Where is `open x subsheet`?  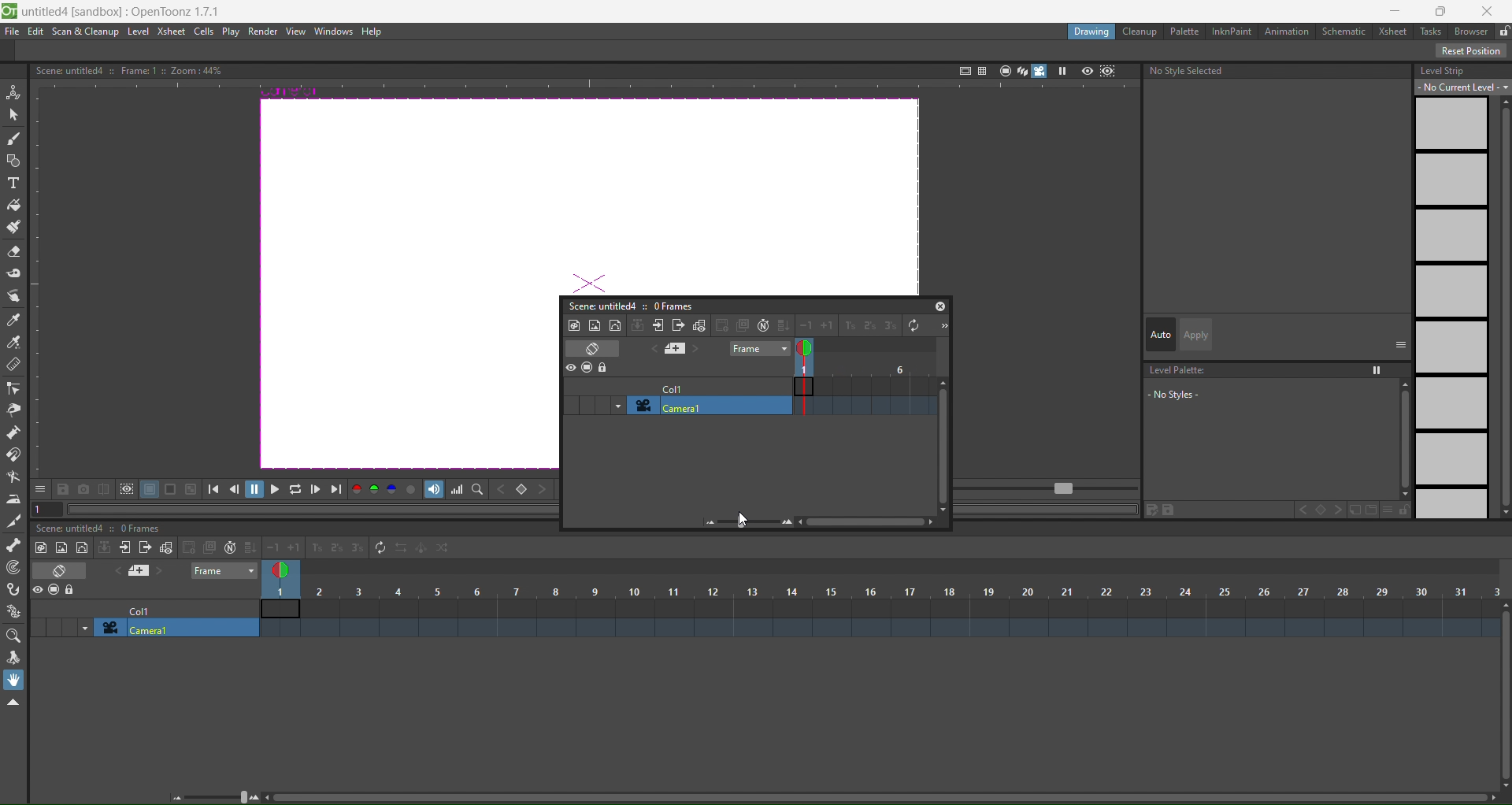 open x subsheet is located at coordinates (658, 325).